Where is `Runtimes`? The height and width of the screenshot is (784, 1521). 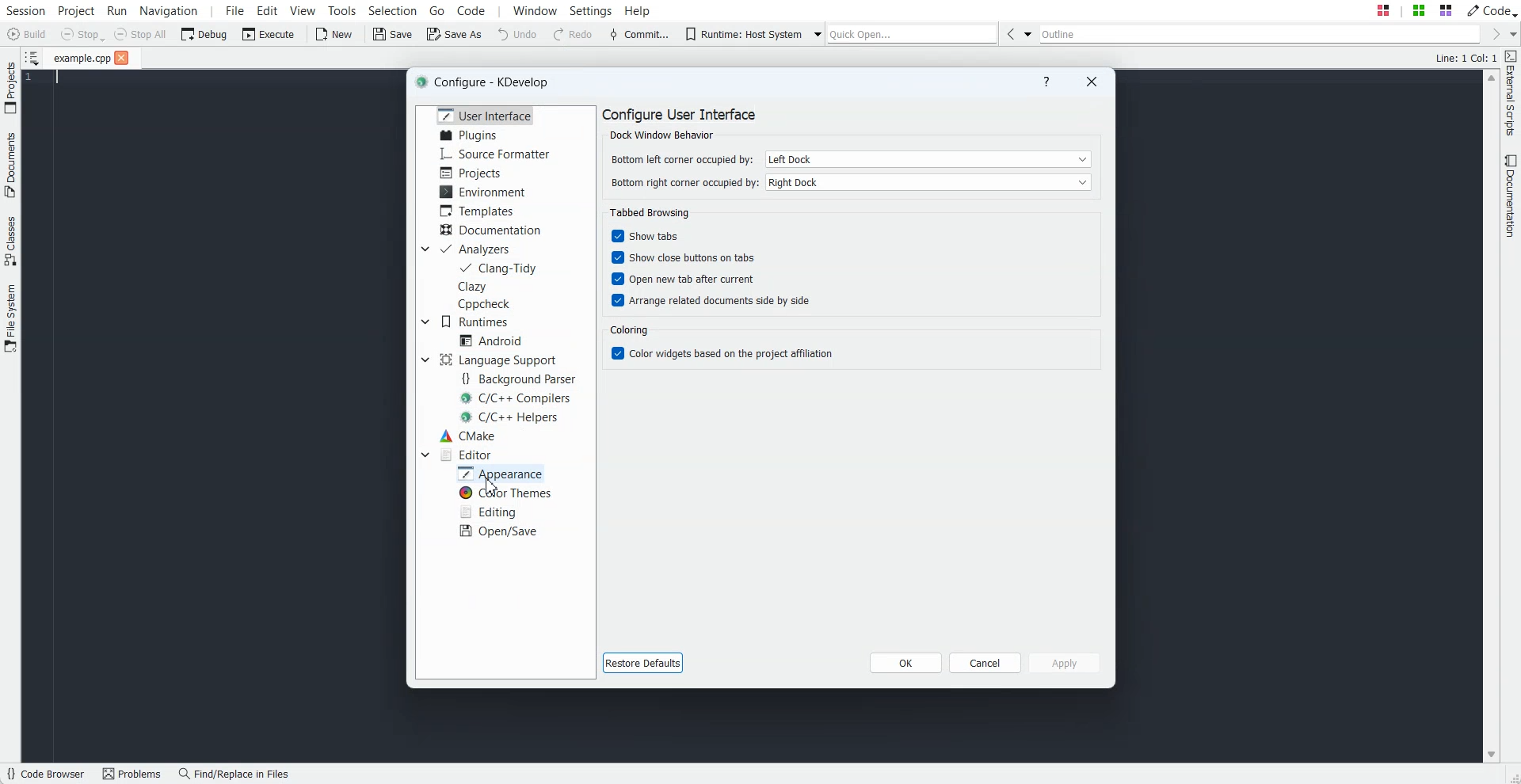 Runtimes is located at coordinates (475, 321).